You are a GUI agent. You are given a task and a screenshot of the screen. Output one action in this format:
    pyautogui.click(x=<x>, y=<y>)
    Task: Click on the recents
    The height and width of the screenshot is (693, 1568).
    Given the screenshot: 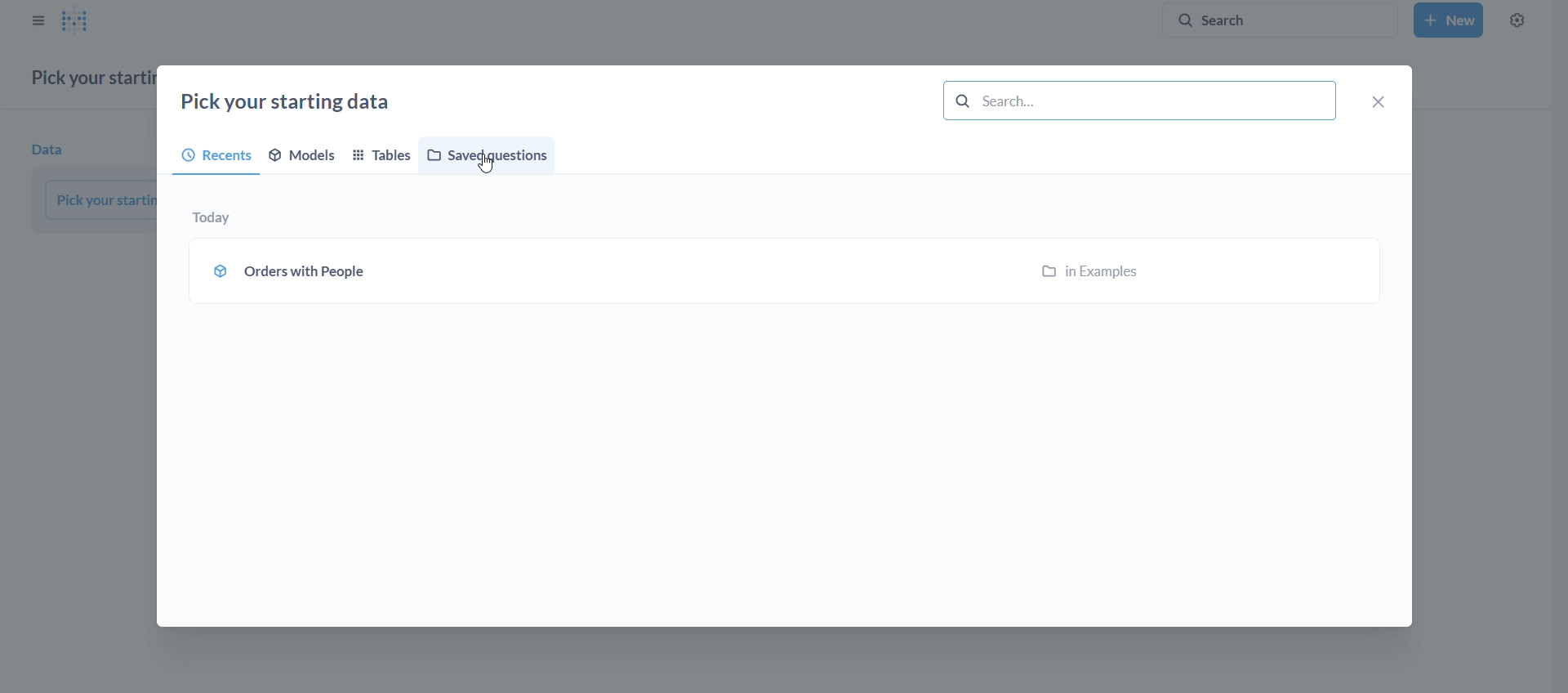 What is the action you would take?
    pyautogui.click(x=209, y=156)
    